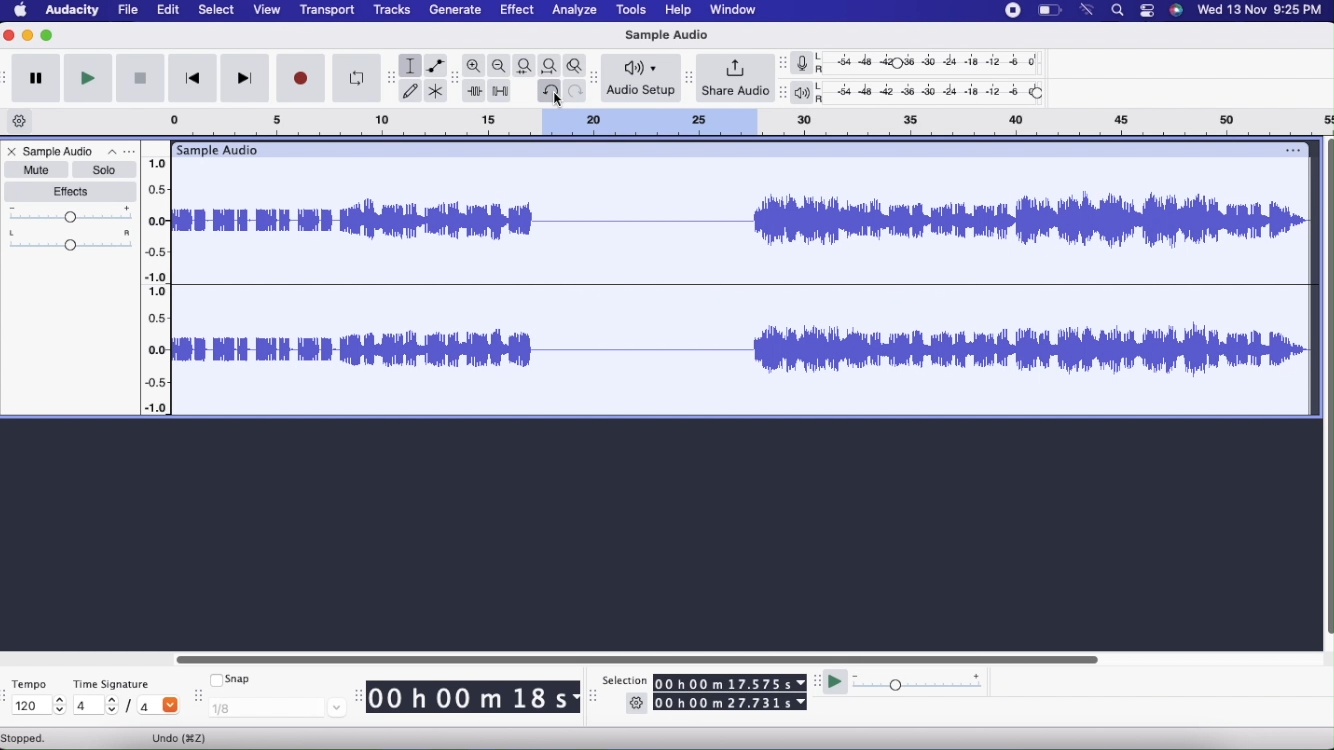 The height and width of the screenshot is (750, 1334). What do you see at coordinates (198, 696) in the screenshot?
I see `move toolbar` at bounding box center [198, 696].